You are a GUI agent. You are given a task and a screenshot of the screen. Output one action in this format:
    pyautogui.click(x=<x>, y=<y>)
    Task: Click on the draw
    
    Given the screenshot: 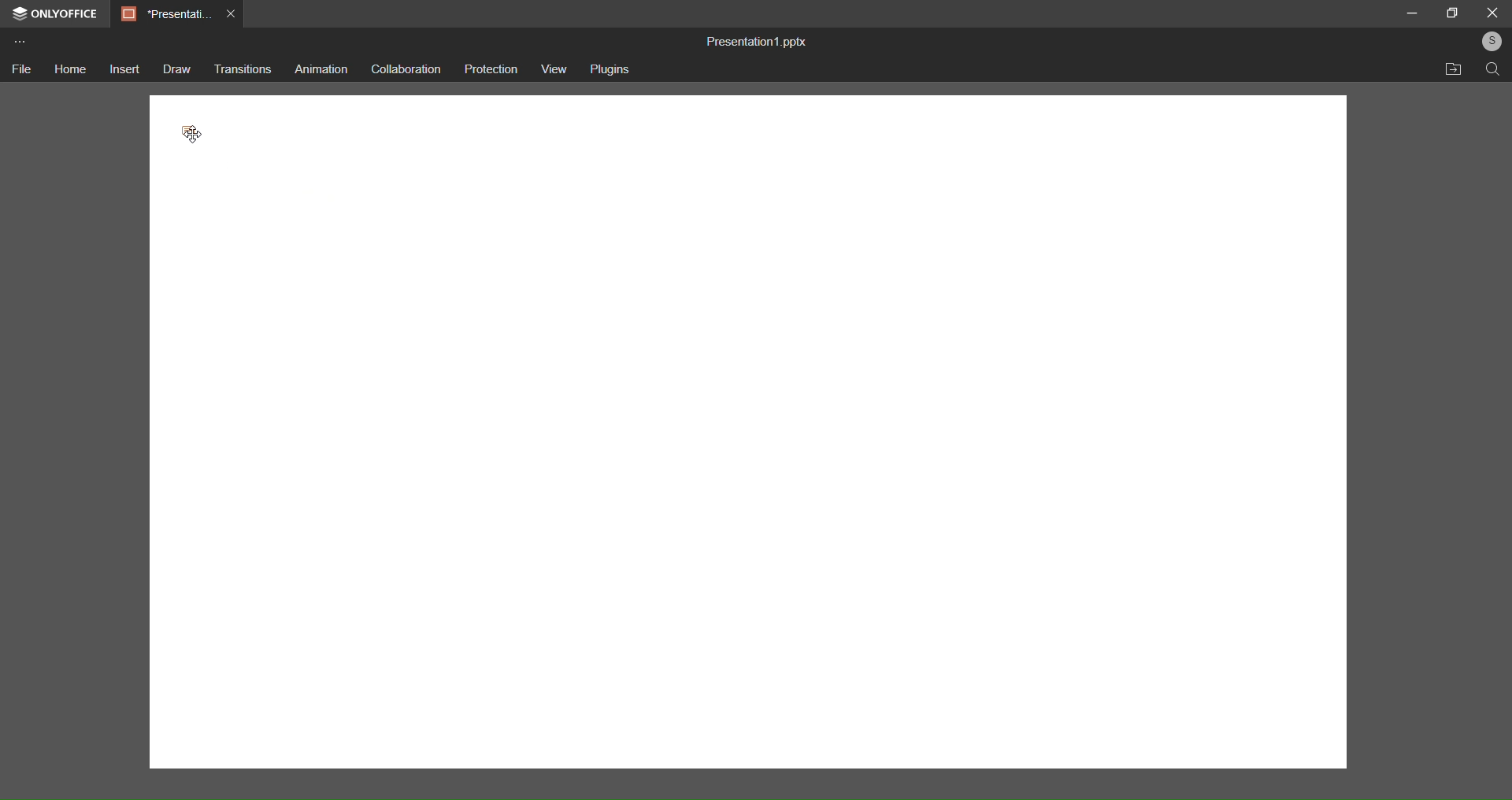 What is the action you would take?
    pyautogui.click(x=175, y=70)
    